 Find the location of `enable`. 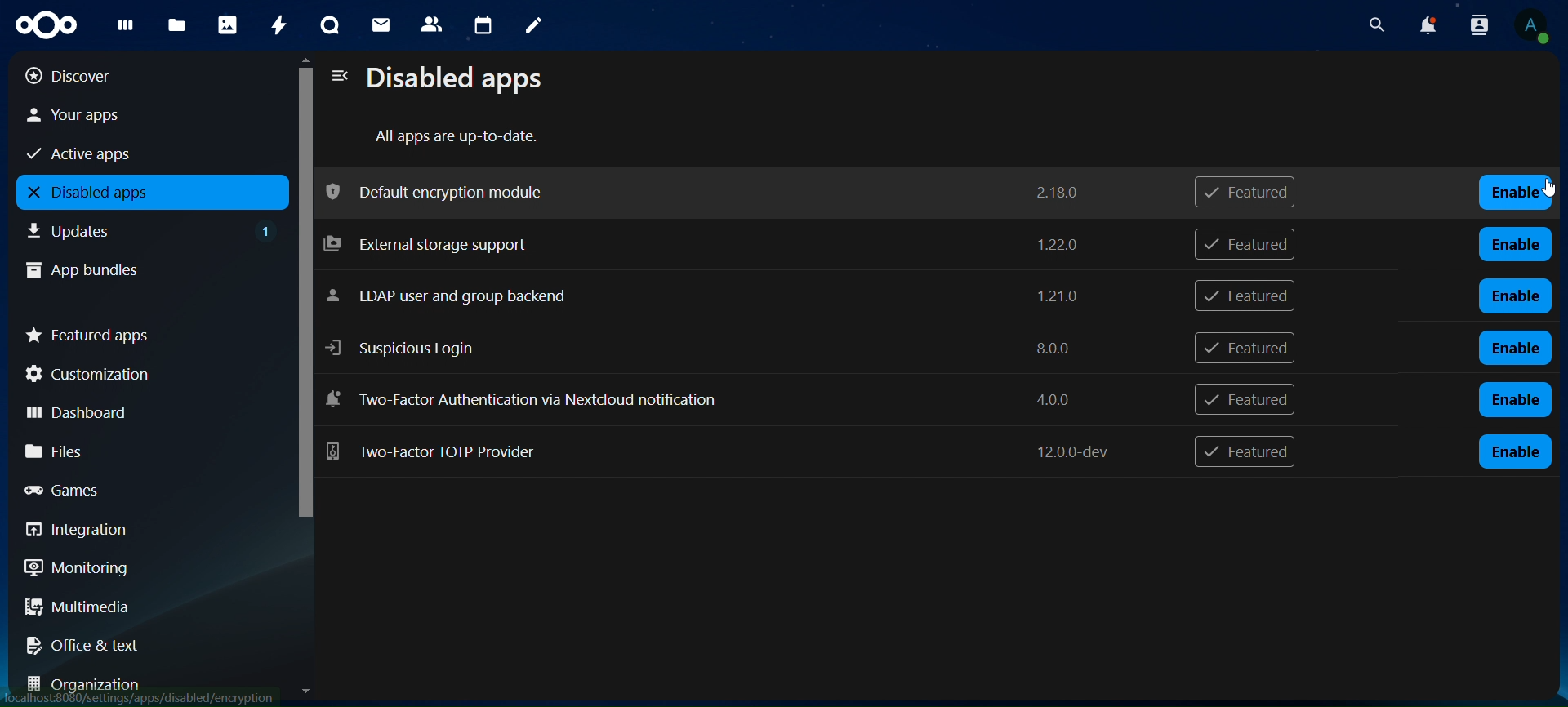

enable is located at coordinates (1514, 349).